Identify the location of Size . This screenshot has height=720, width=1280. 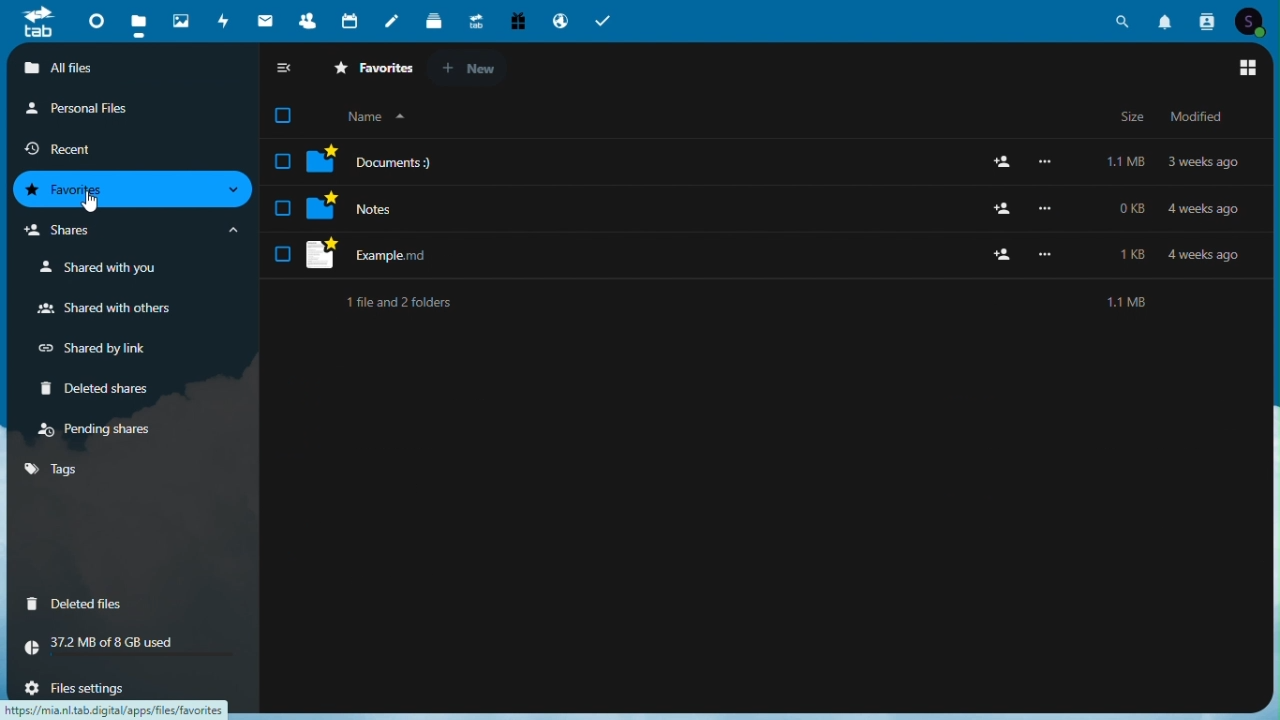
(1130, 115).